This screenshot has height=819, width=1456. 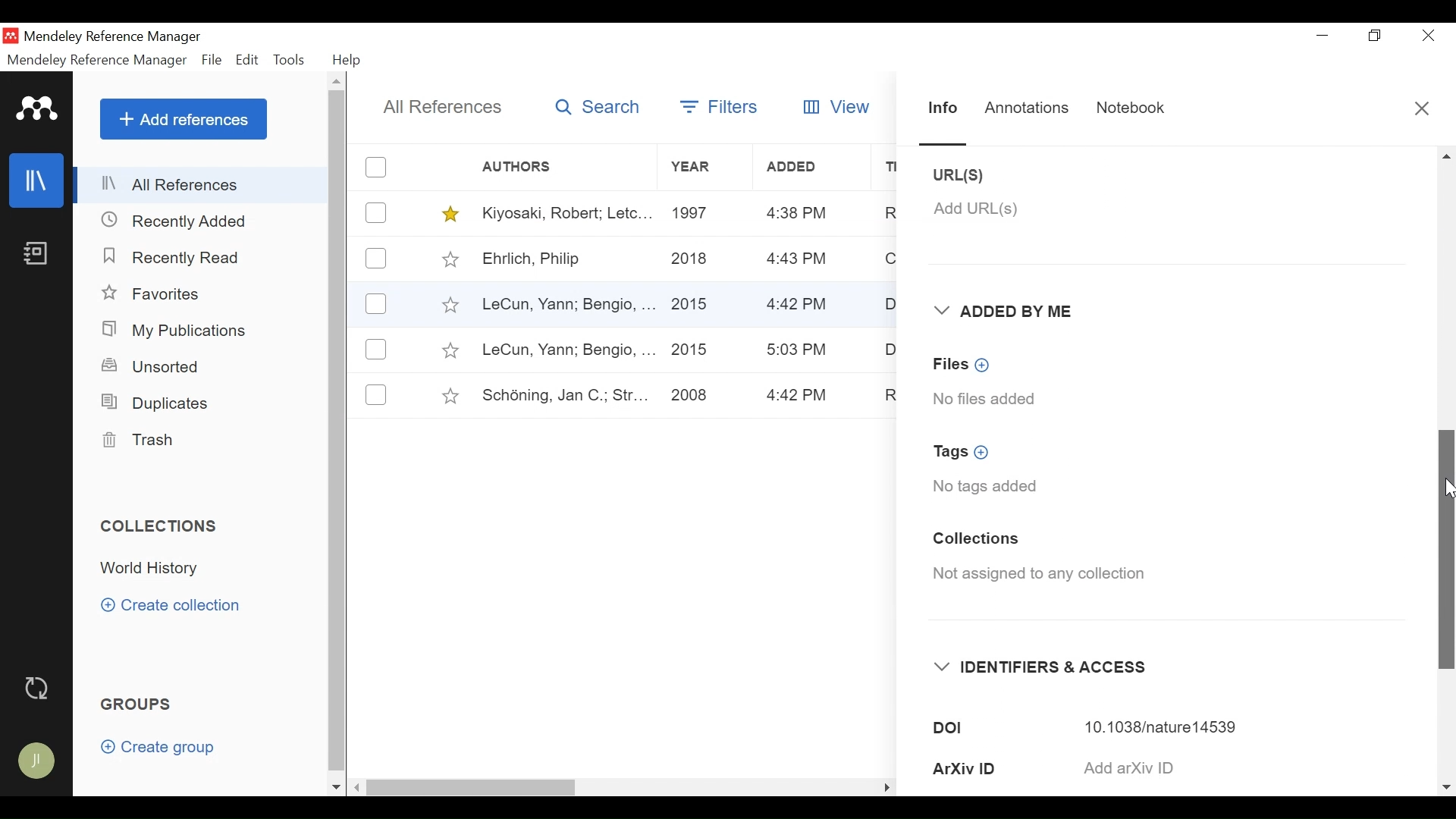 I want to click on Collections, so click(x=165, y=526).